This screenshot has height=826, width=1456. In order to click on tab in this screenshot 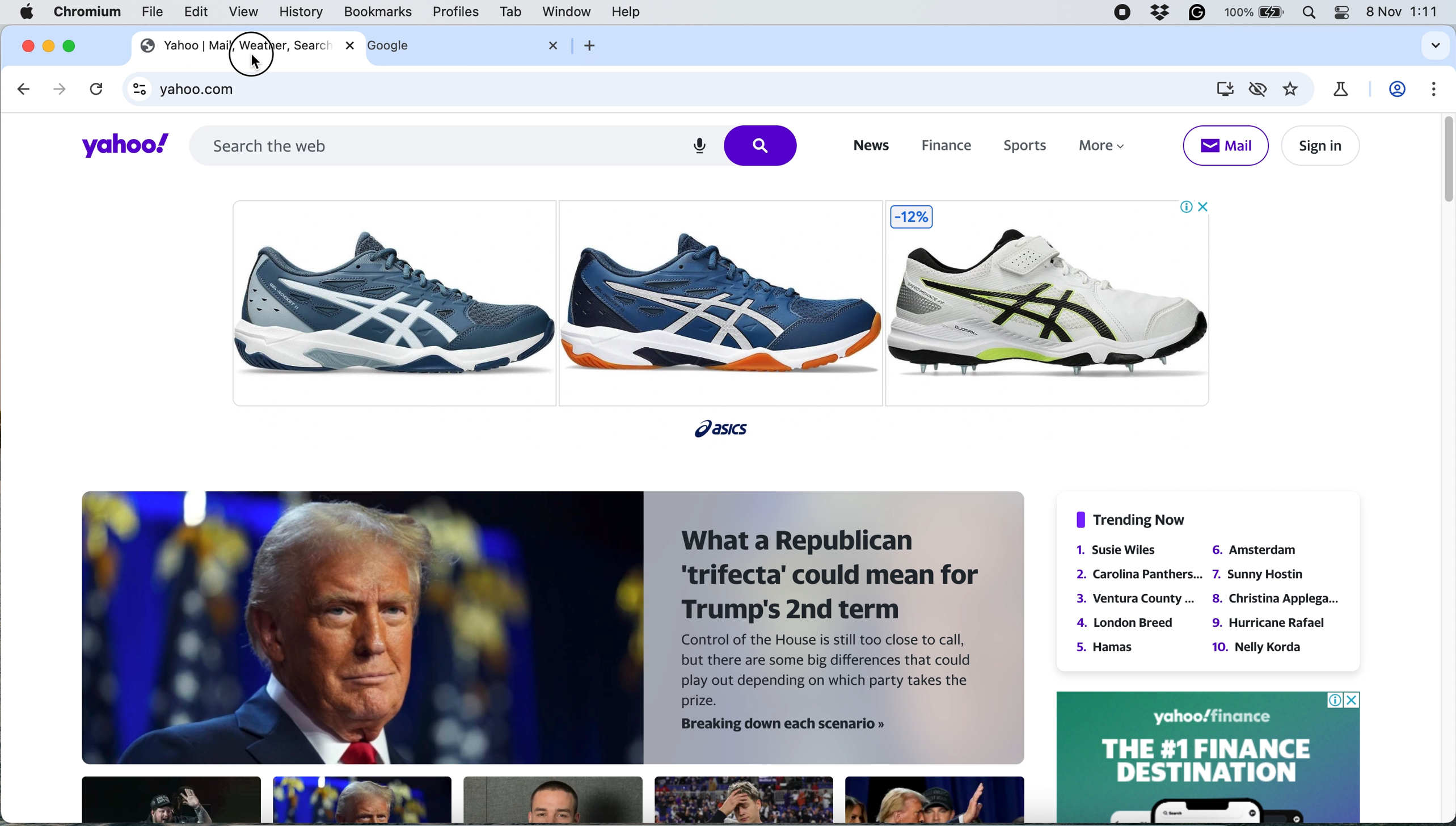, I will do `click(508, 12)`.